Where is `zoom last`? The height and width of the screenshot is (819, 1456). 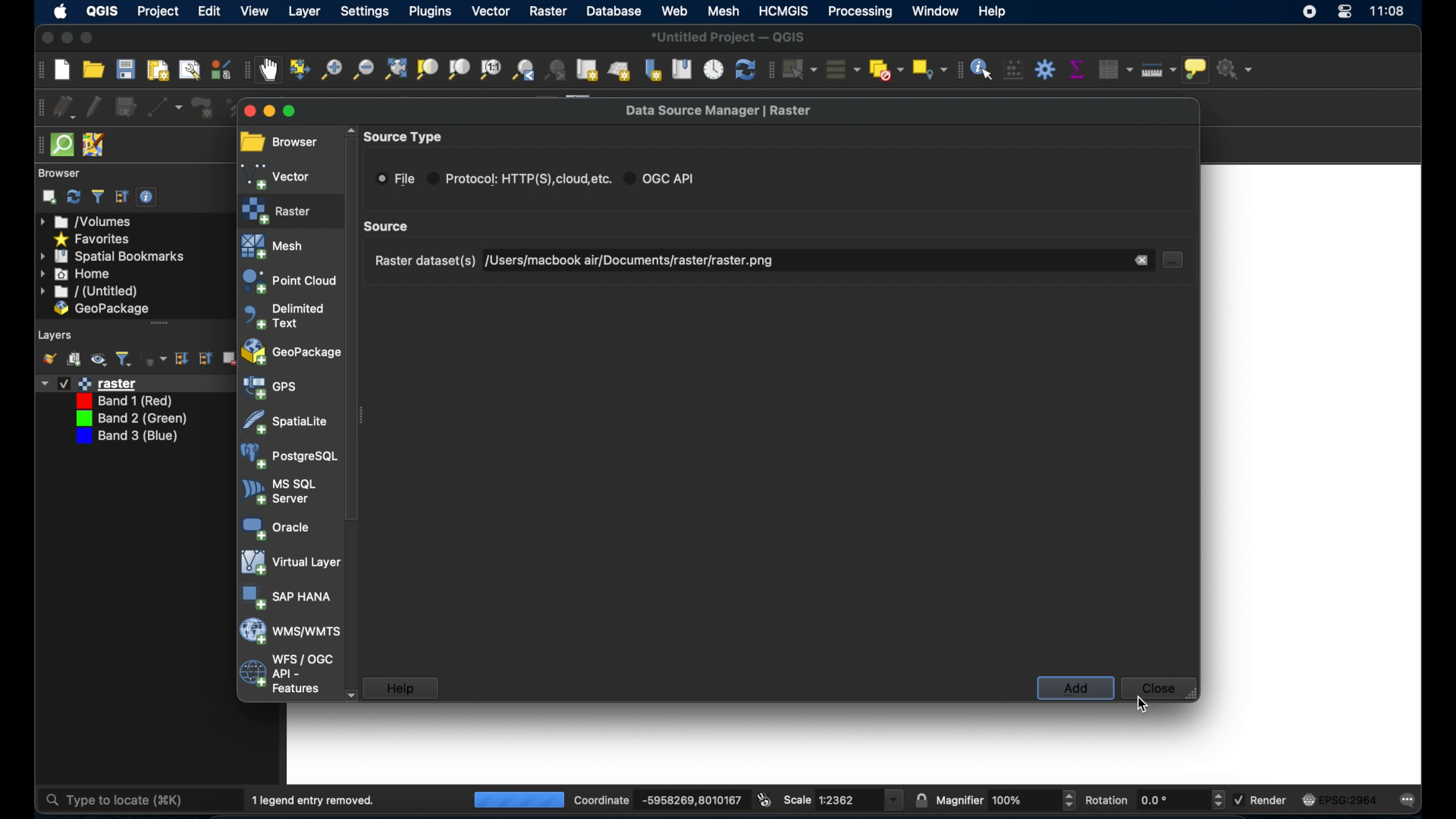 zoom last is located at coordinates (524, 69).